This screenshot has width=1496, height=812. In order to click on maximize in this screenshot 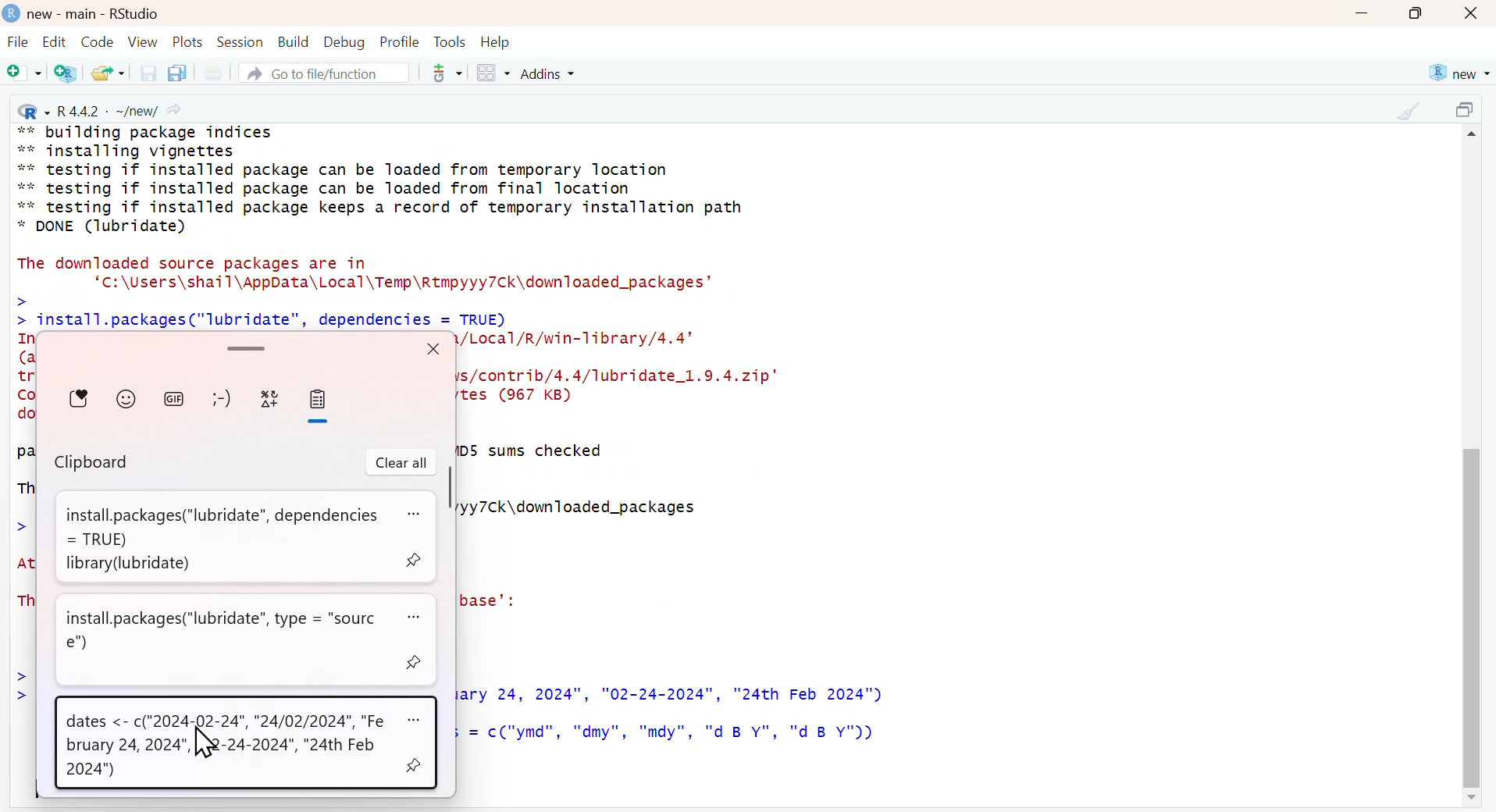, I will do `click(1468, 112)`.